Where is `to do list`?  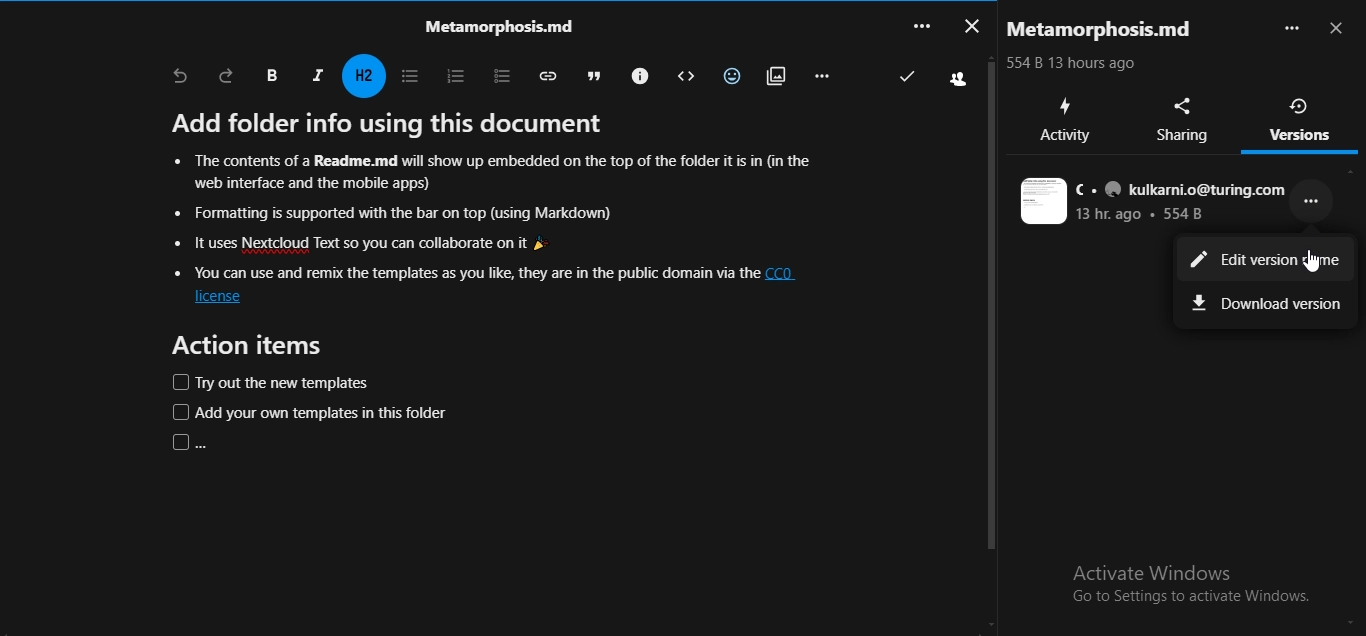
to do list is located at coordinates (494, 74).